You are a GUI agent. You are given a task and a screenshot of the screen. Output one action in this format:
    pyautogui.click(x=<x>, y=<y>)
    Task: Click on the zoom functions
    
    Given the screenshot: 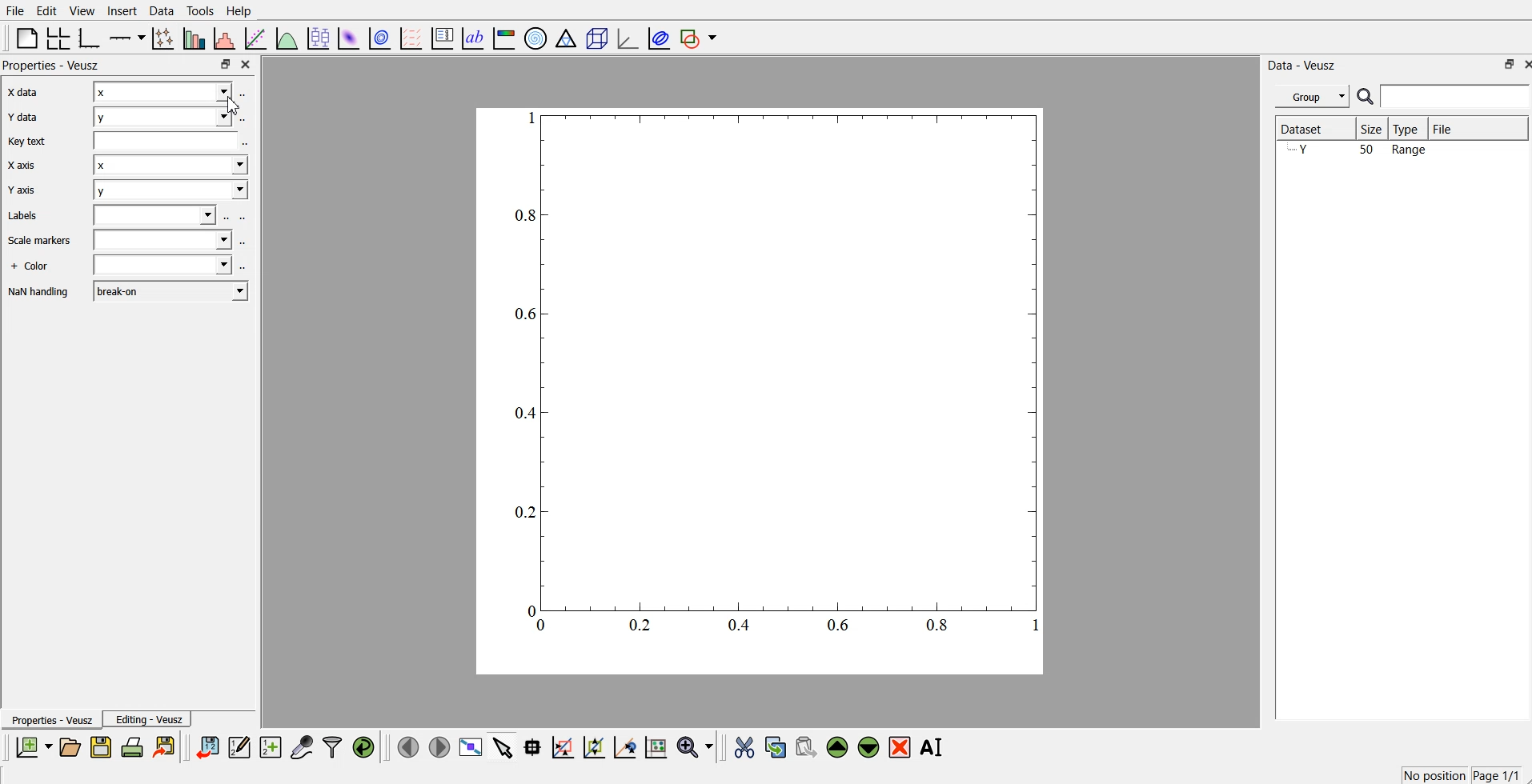 What is the action you would take?
    pyautogui.click(x=696, y=746)
    